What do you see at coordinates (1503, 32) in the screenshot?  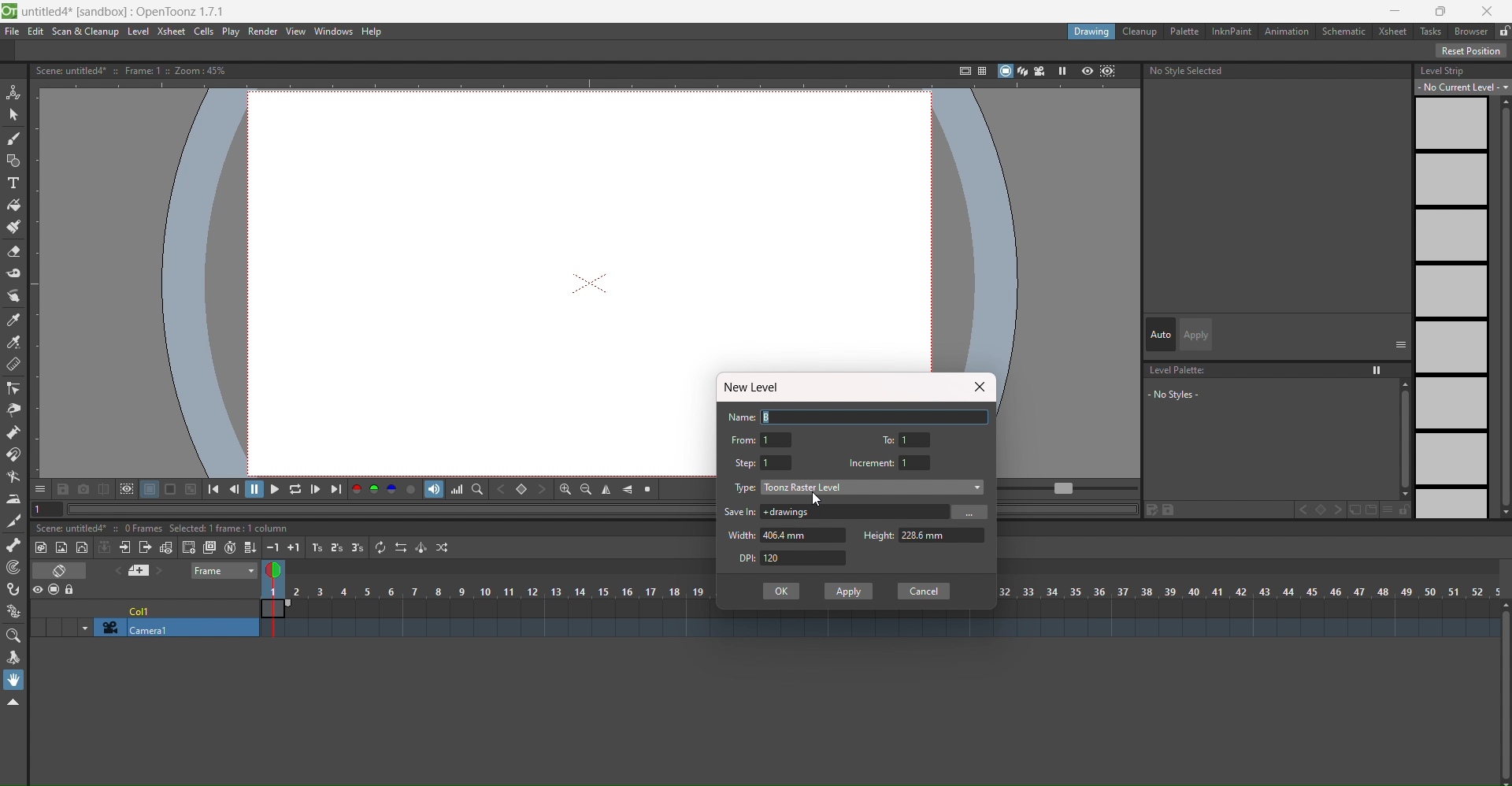 I see `lock unlock` at bounding box center [1503, 32].